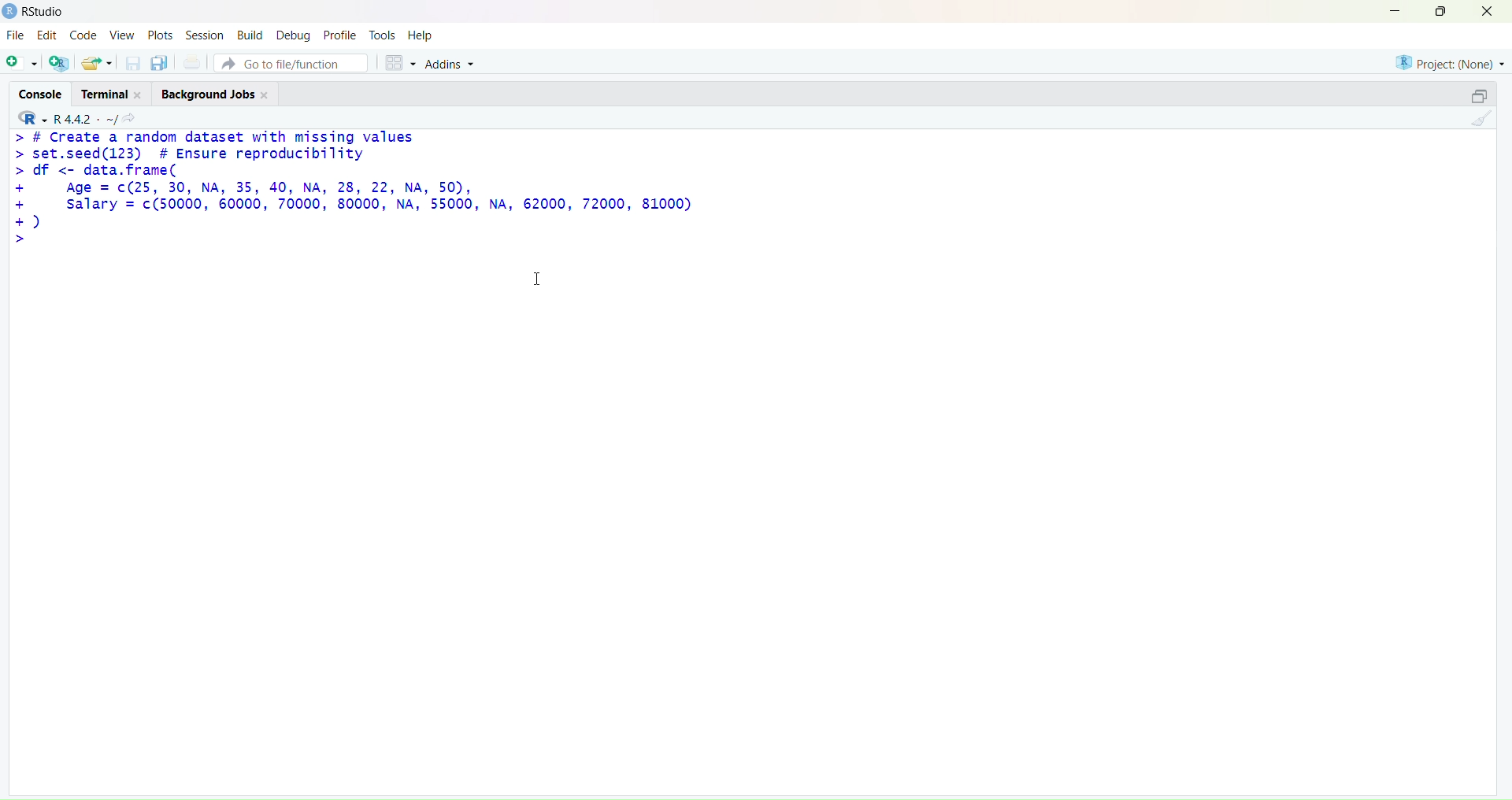 The image size is (1512, 800). I want to click on help, so click(421, 35).